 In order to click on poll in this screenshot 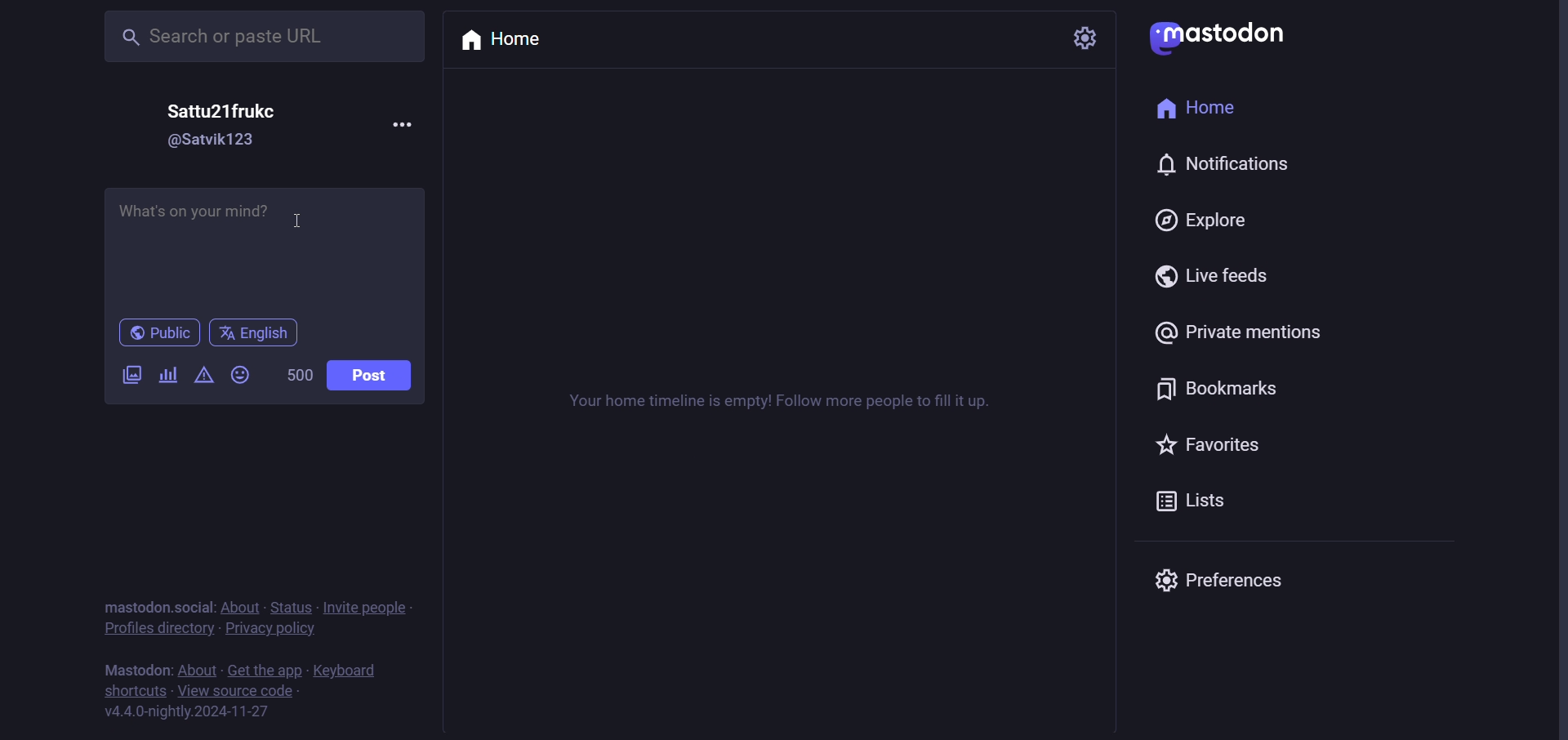, I will do `click(166, 375)`.